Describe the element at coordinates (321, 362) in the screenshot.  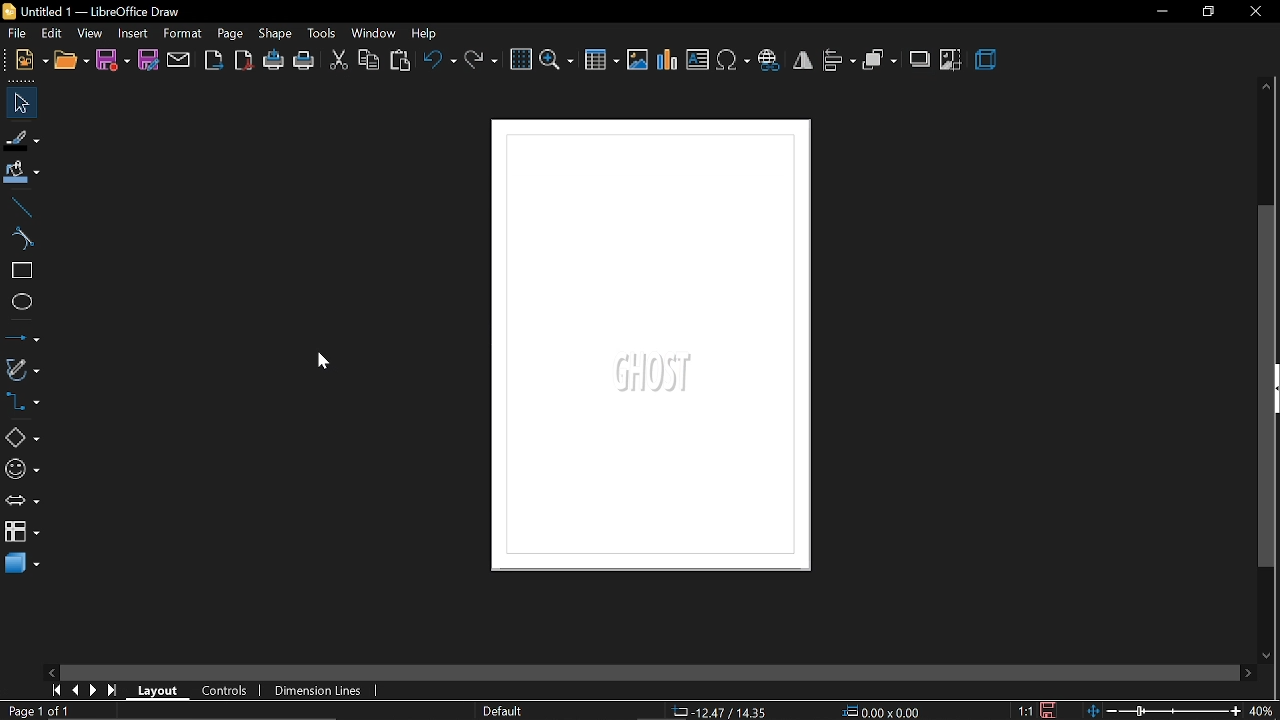
I see `Cursor` at that location.